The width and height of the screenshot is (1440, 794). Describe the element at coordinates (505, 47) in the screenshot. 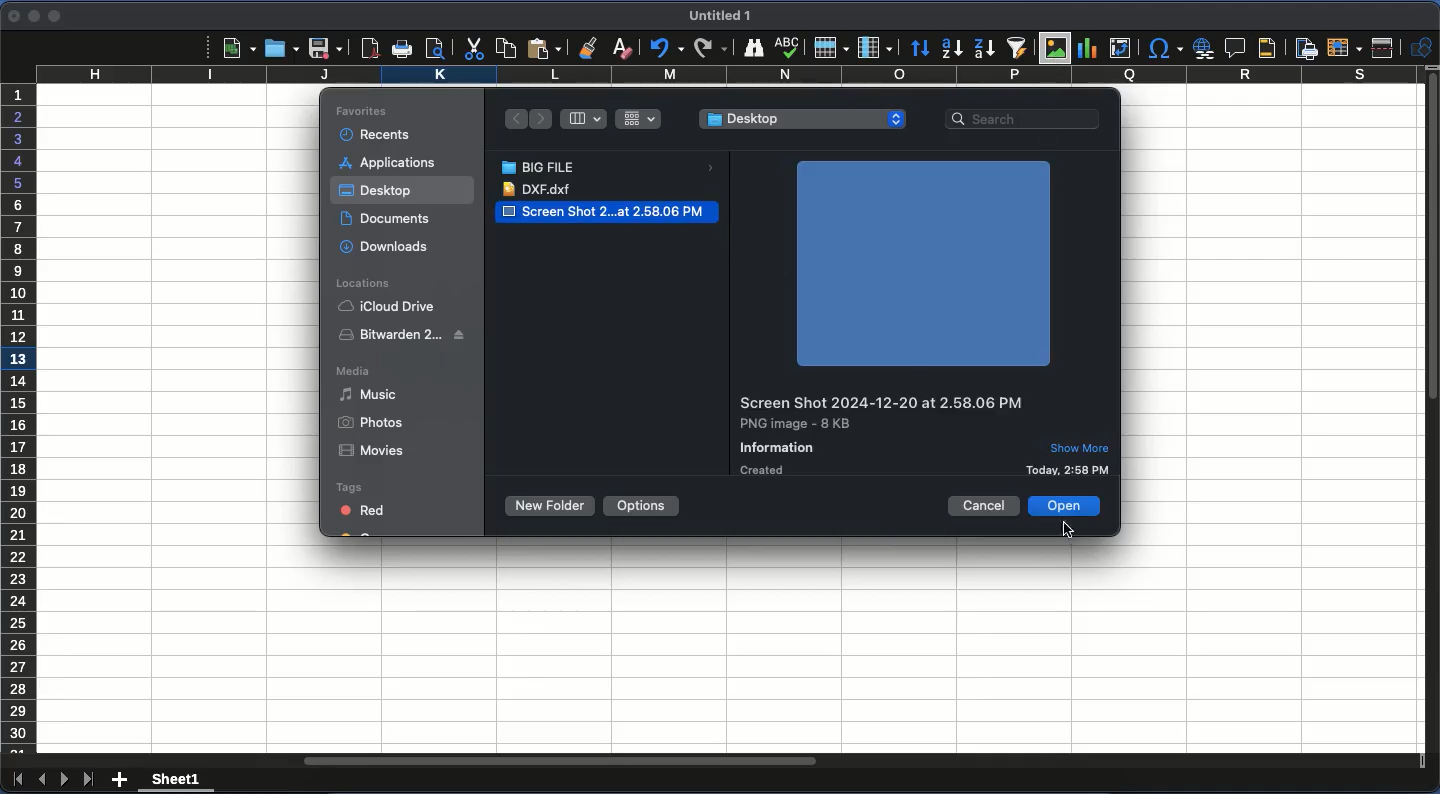

I see `paste` at that location.